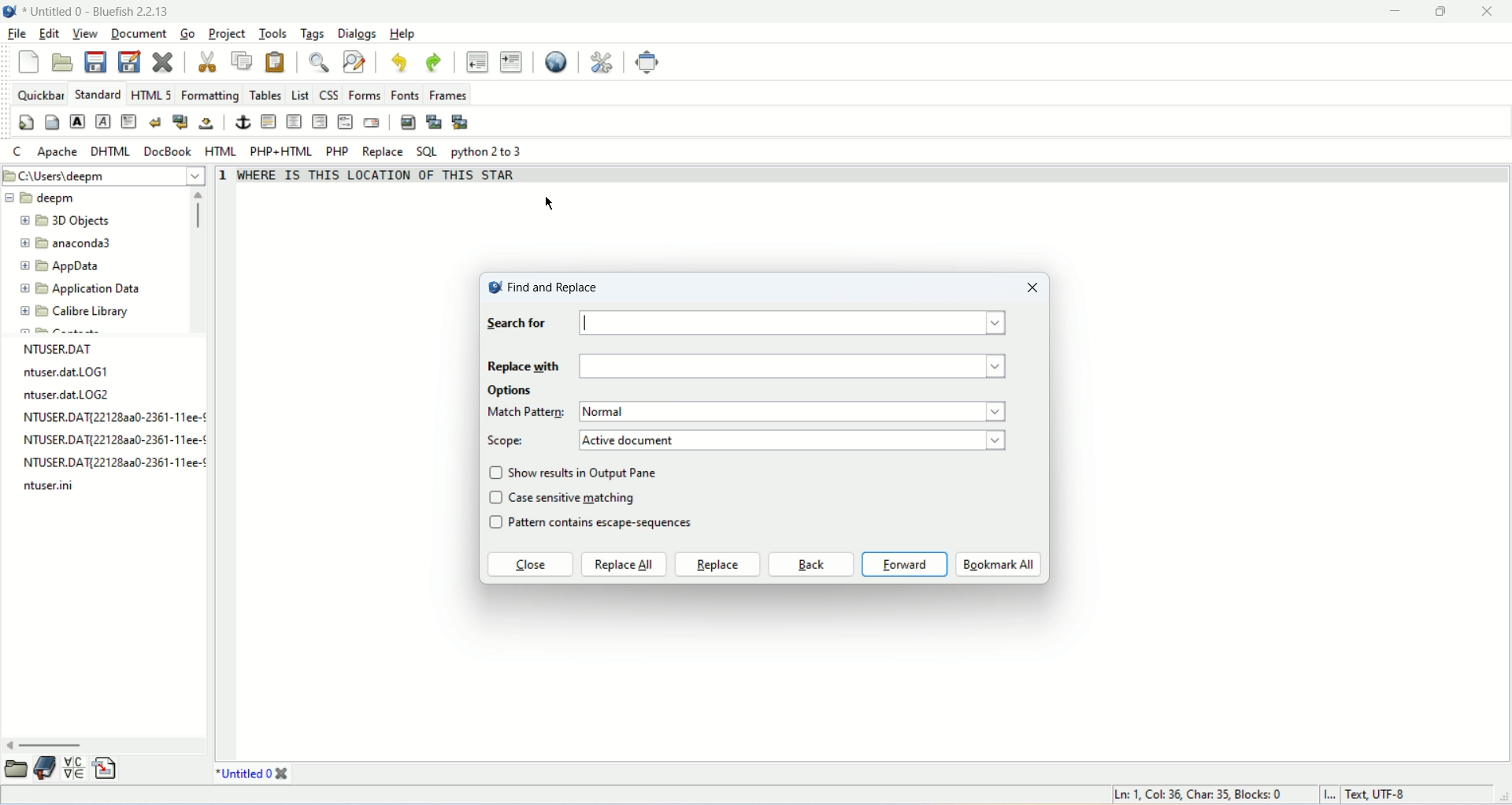 This screenshot has width=1512, height=805. What do you see at coordinates (401, 34) in the screenshot?
I see `help` at bounding box center [401, 34].